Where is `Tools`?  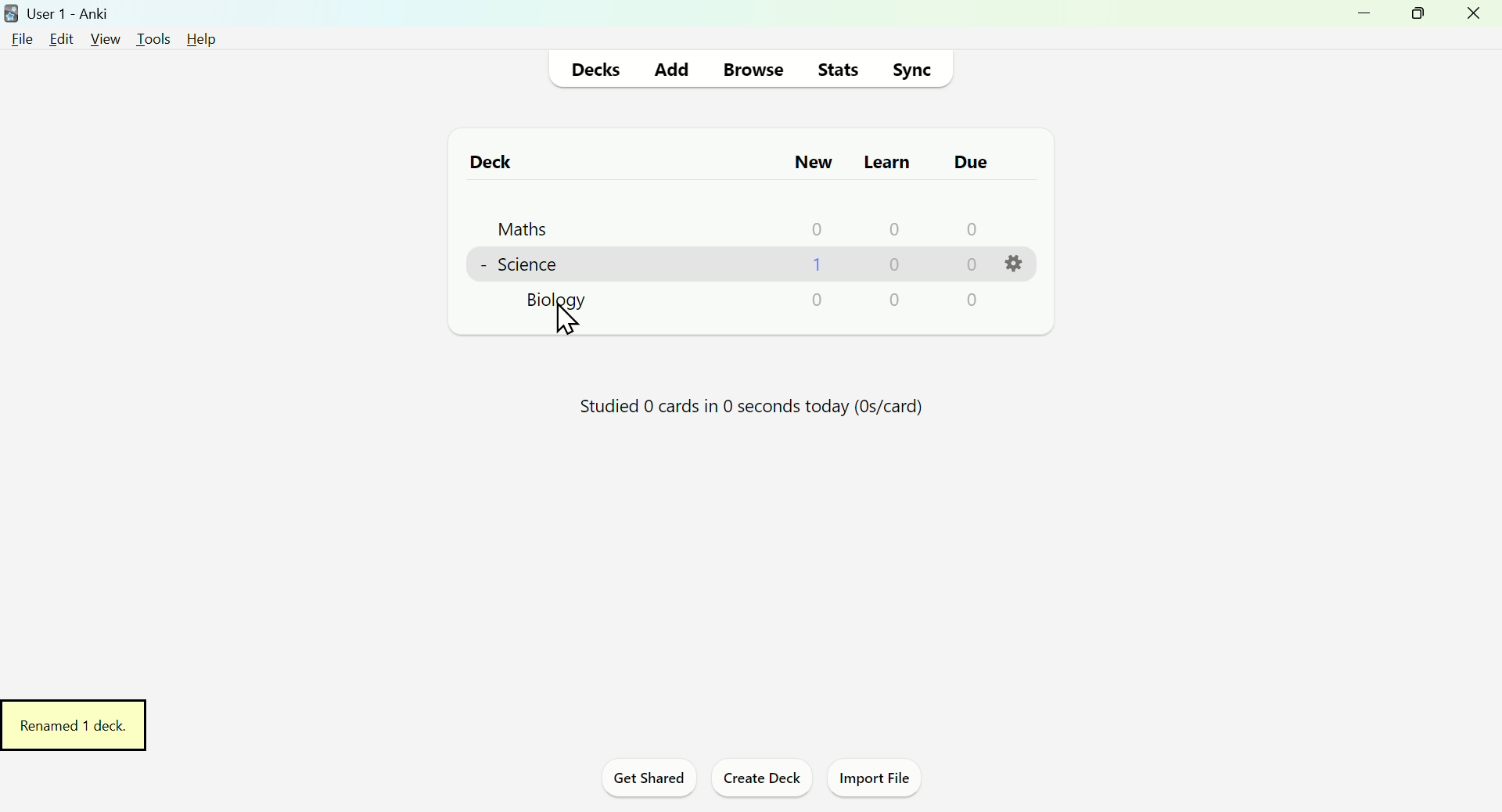
Tools is located at coordinates (148, 35).